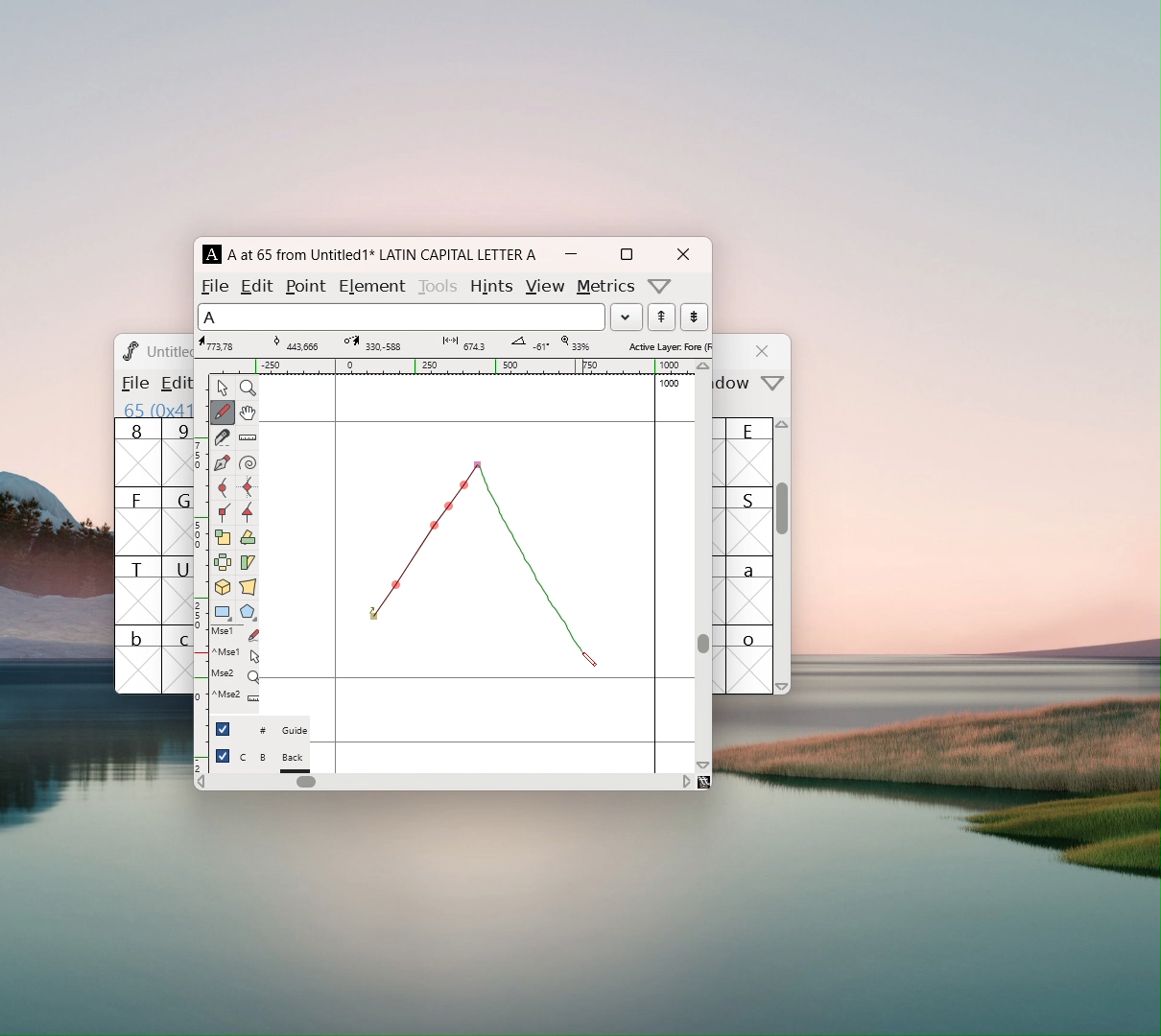 The image size is (1161, 1036). Describe the element at coordinates (258, 285) in the screenshot. I see `edit` at that location.